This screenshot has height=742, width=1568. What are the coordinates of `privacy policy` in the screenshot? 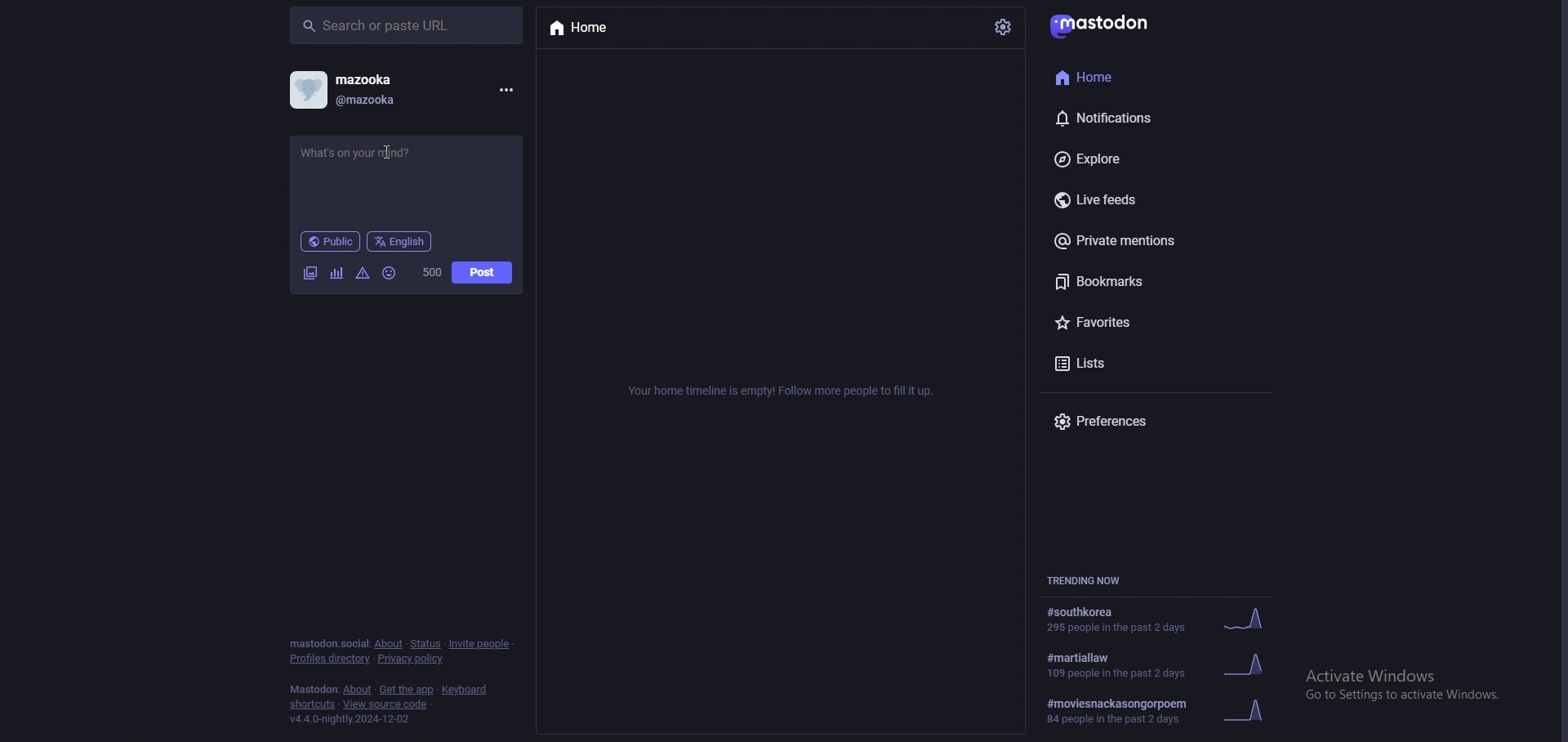 It's located at (414, 659).